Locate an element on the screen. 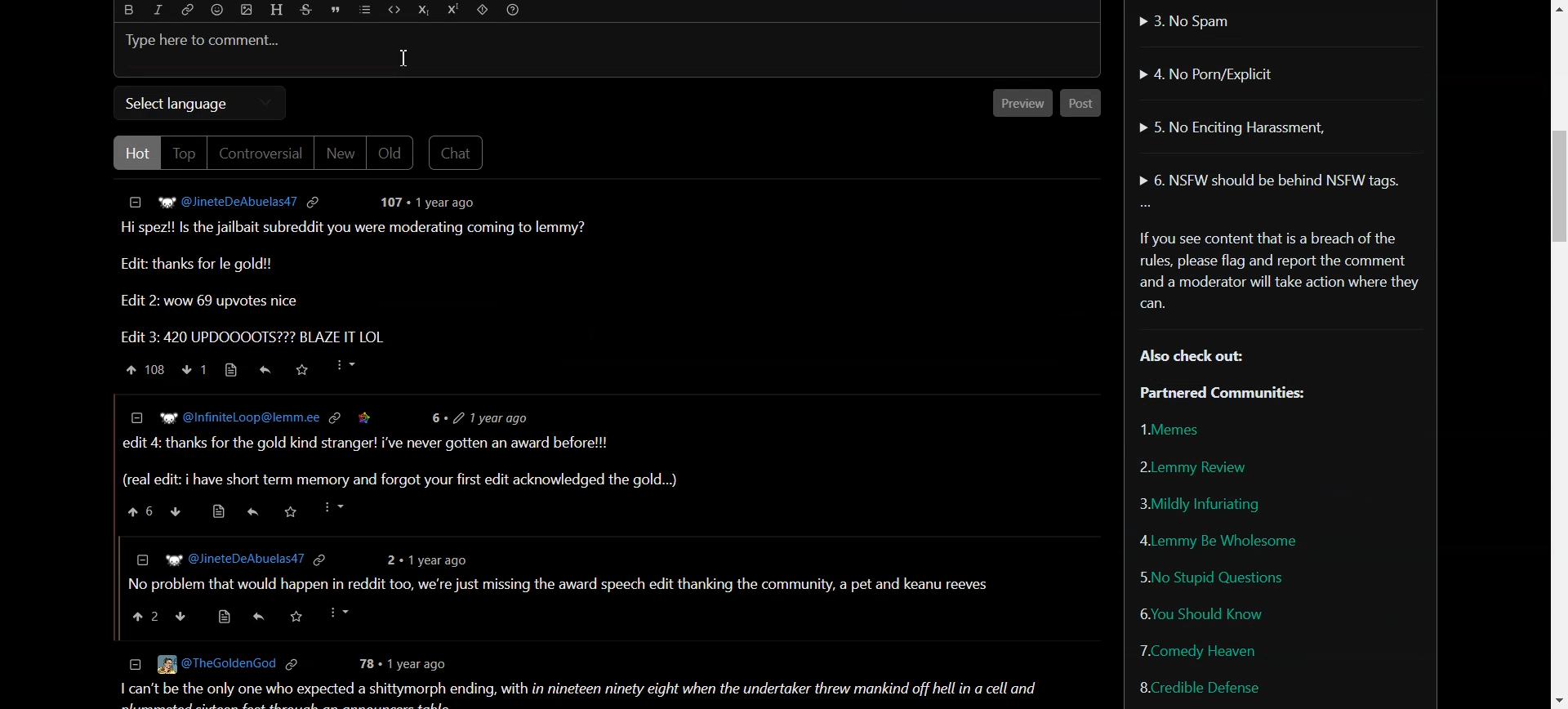 The image size is (1568, 709). upvote is located at coordinates (146, 617).